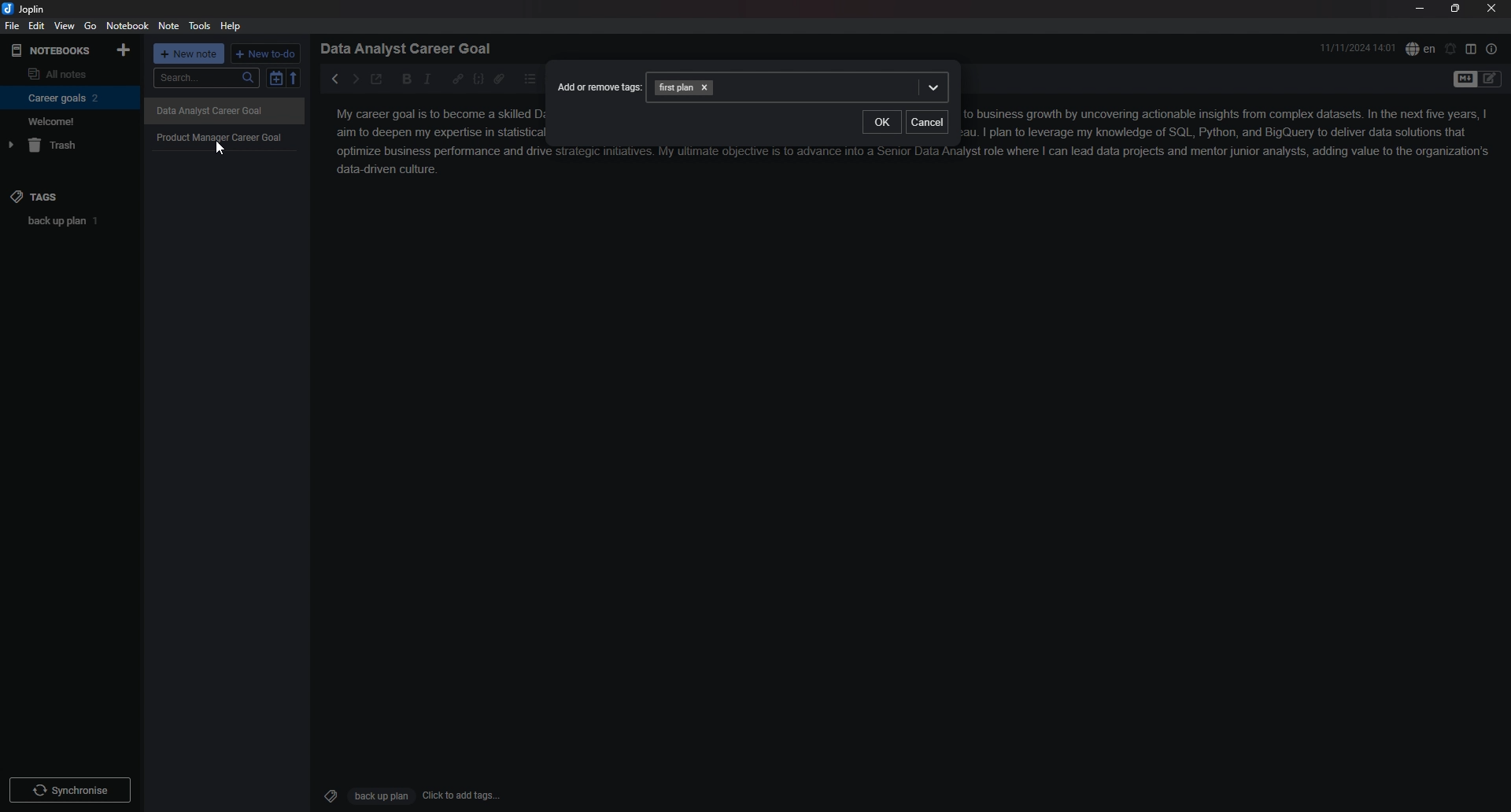 This screenshot has width=1511, height=812. I want to click on search..., so click(205, 78).